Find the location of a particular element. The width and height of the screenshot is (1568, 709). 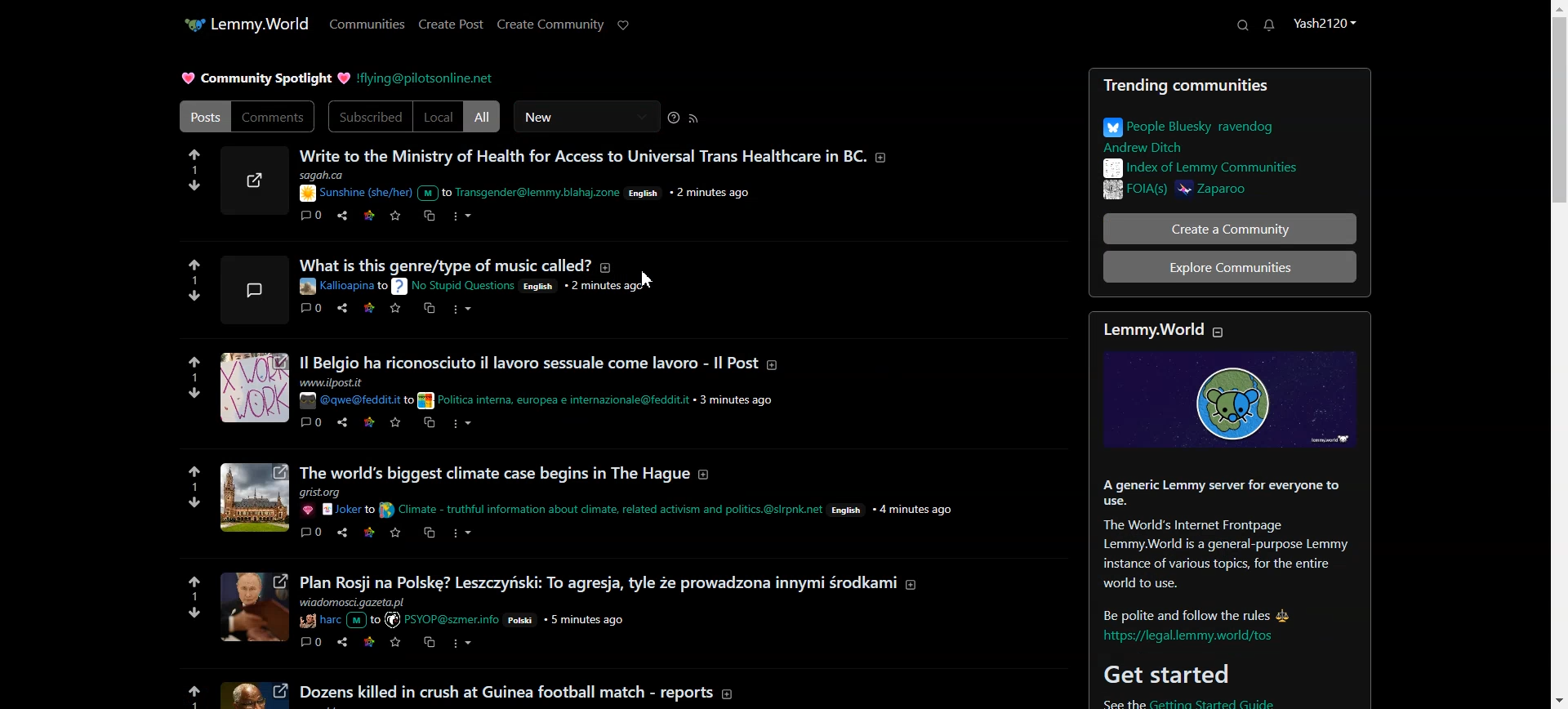

Create Post is located at coordinates (452, 25).